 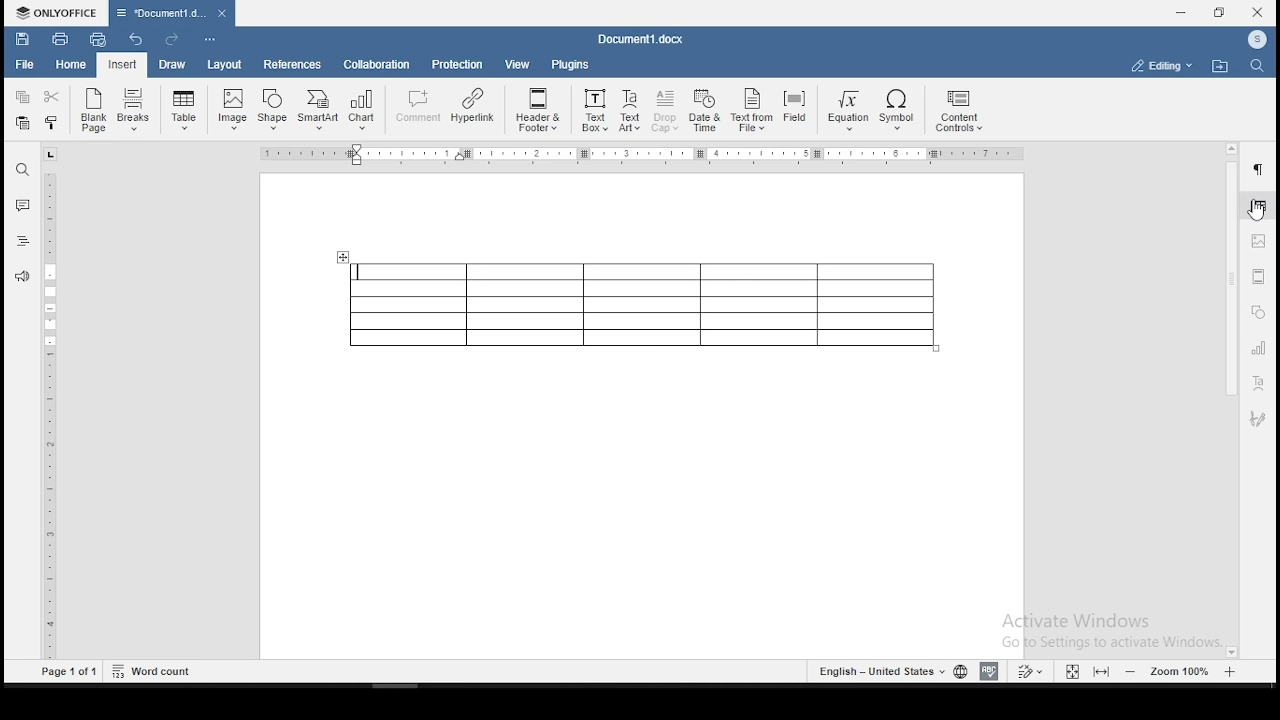 What do you see at coordinates (1229, 400) in the screenshot?
I see `scrollbar` at bounding box center [1229, 400].